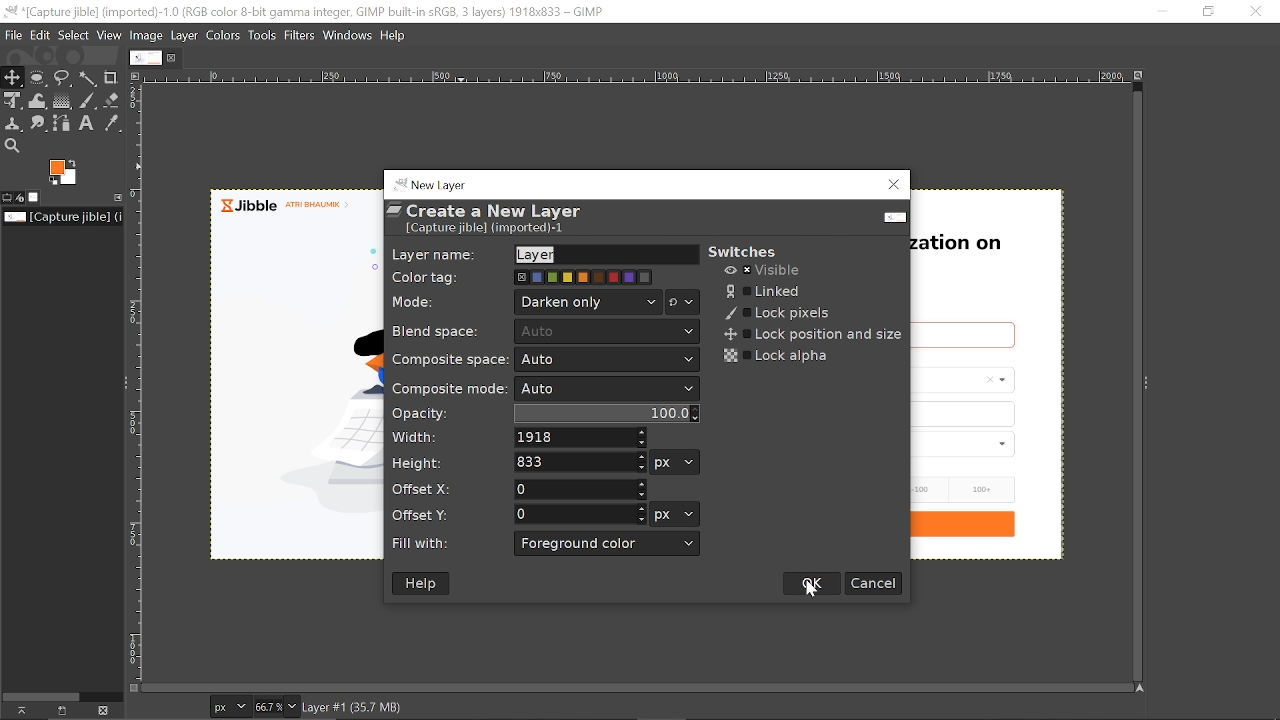  Describe the element at coordinates (132, 688) in the screenshot. I see `Toggle quick mask on/off` at that location.